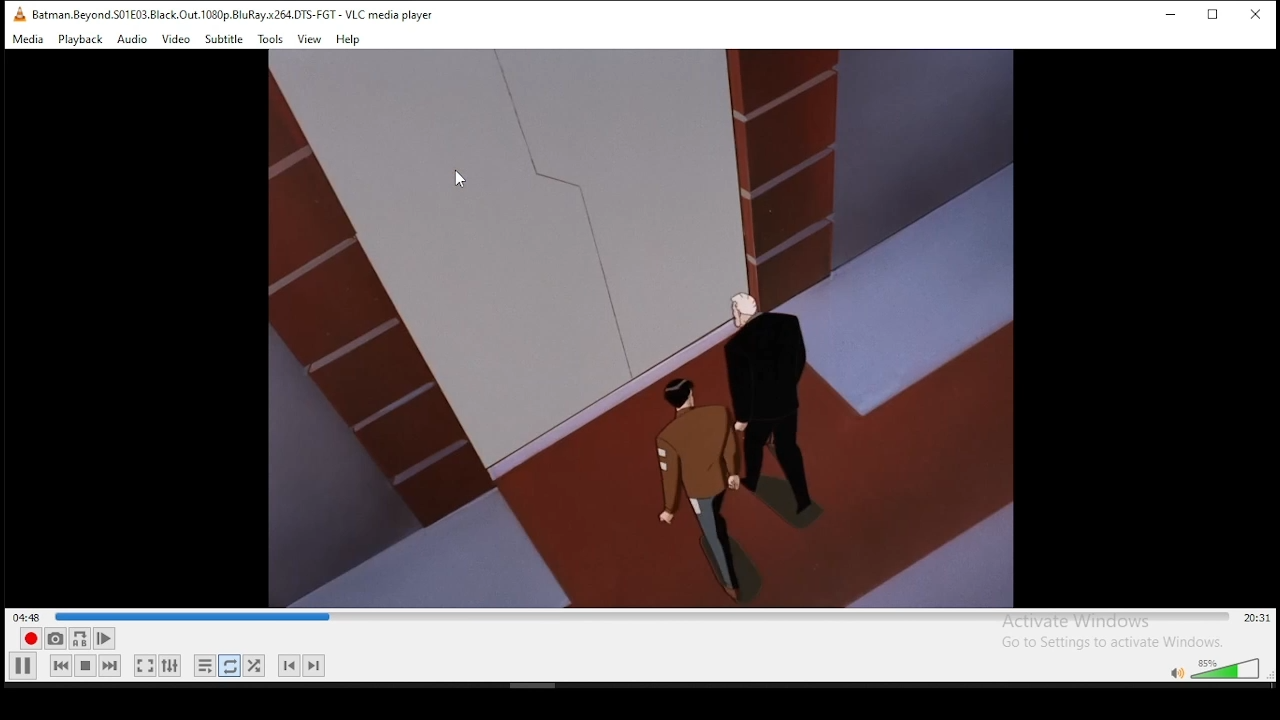 This screenshot has width=1280, height=720. I want to click on Audio, so click(132, 41).